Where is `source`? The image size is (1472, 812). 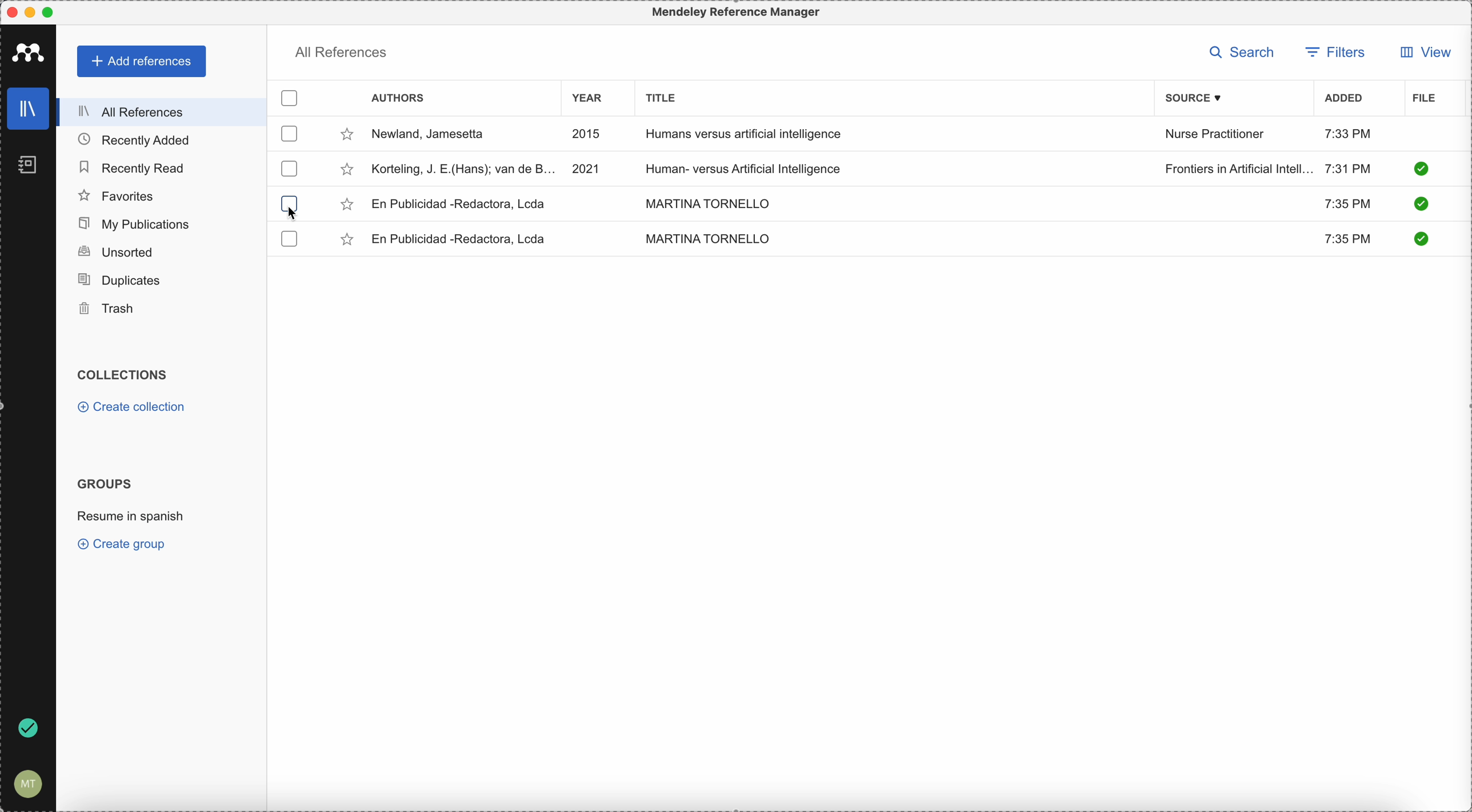
source is located at coordinates (1202, 98).